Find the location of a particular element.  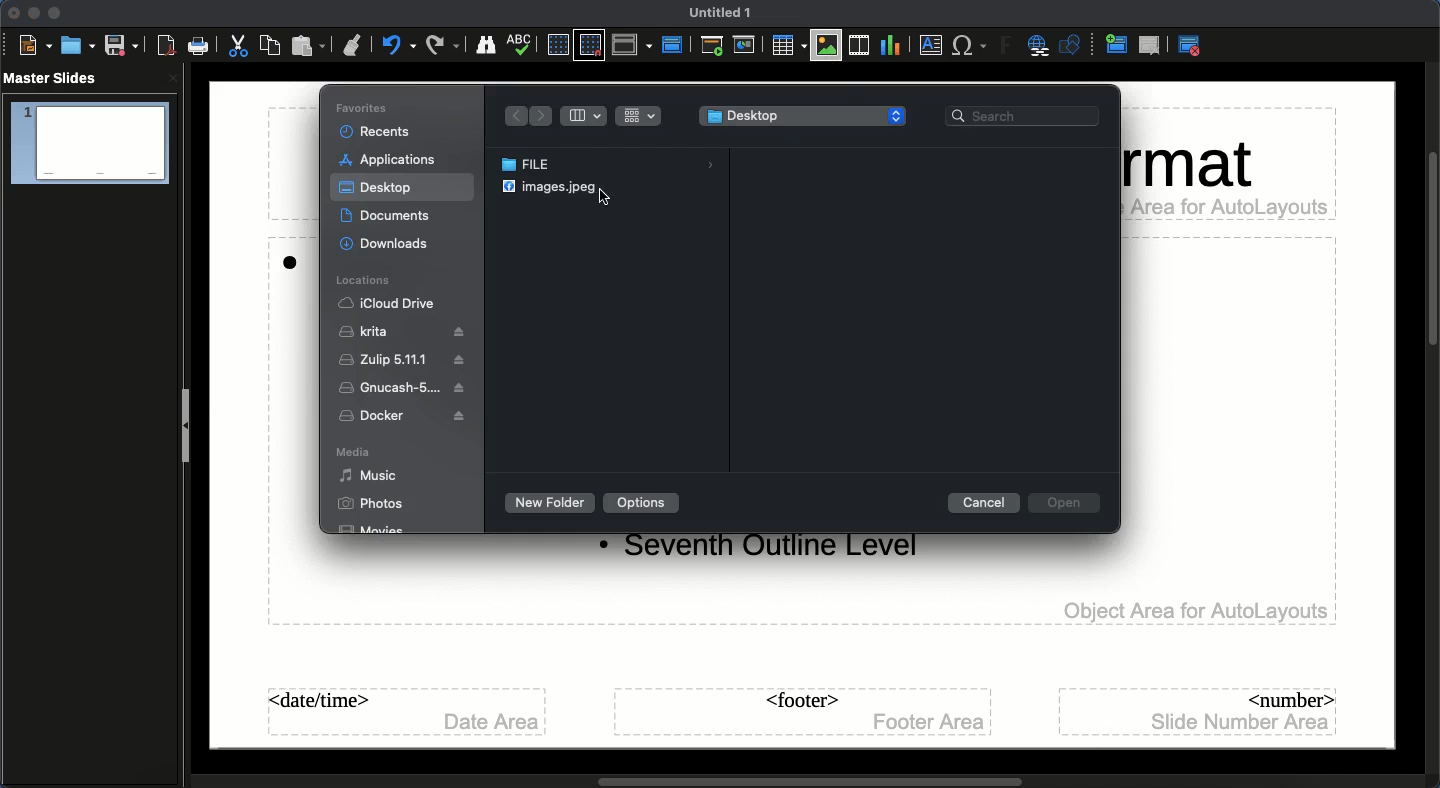

Column is located at coordinates (586, 116).